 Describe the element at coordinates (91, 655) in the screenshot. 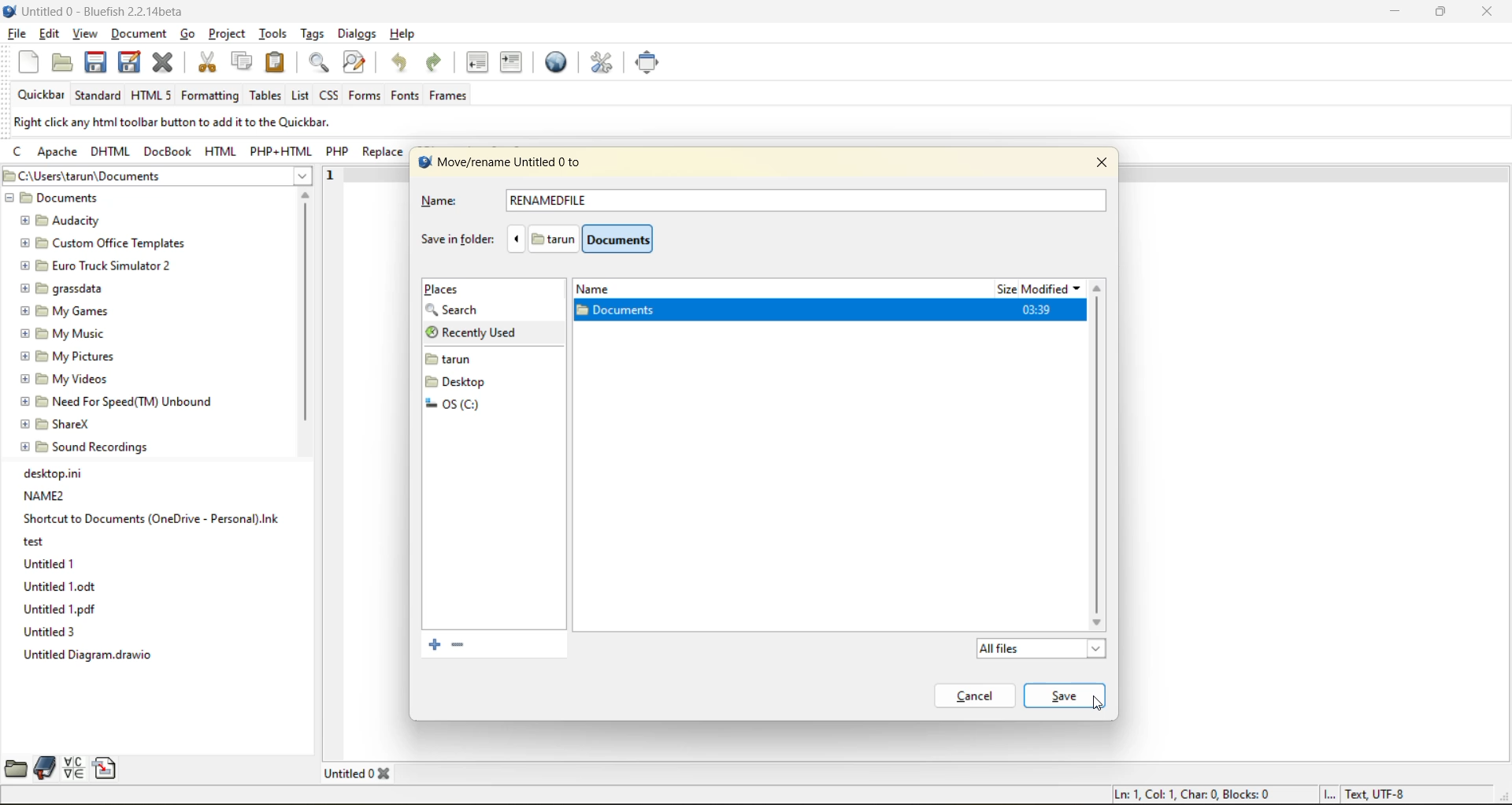

I see `Untitled Diagram.drawio` at that location.